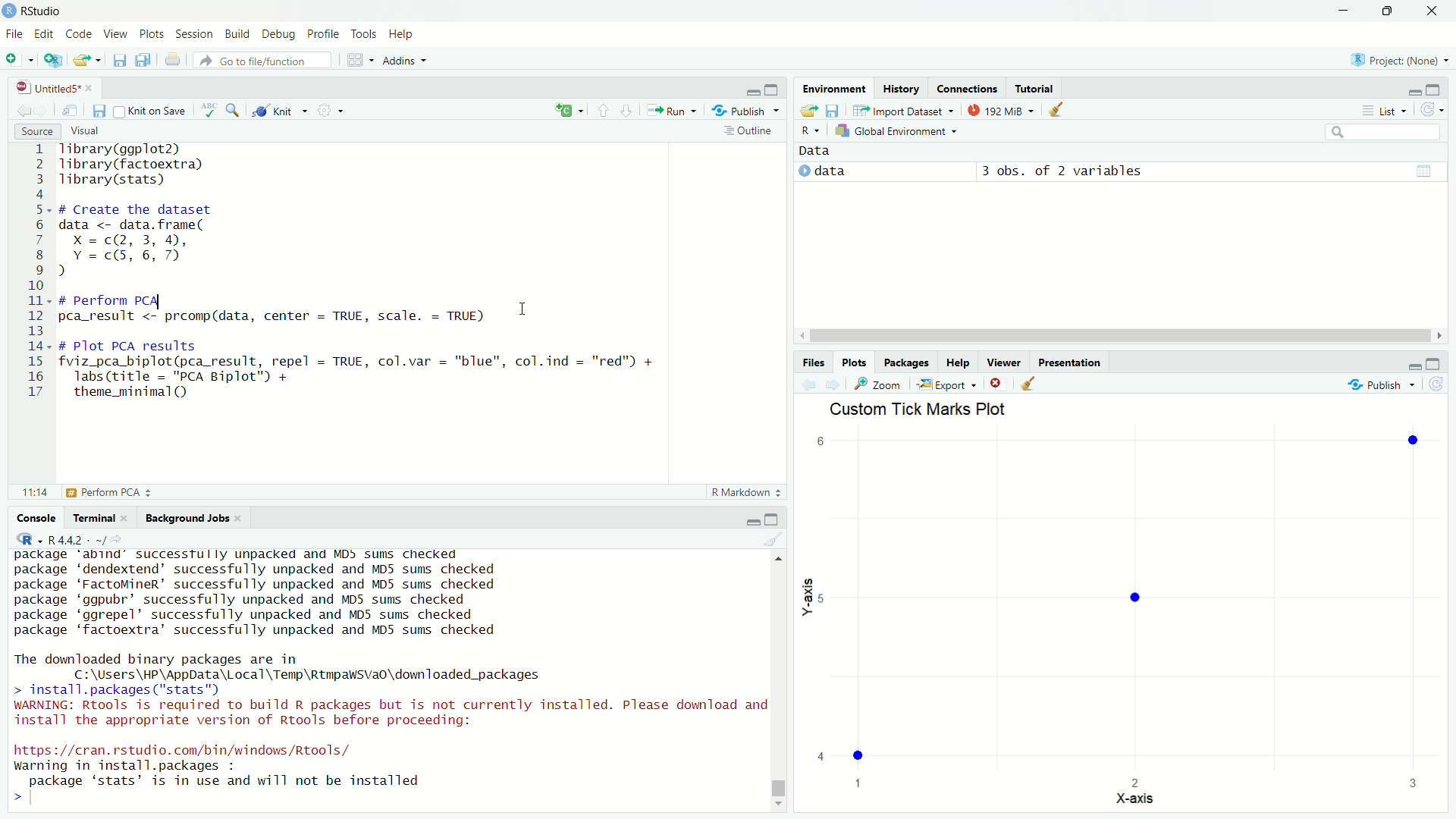 The image size is (1456, 819). I want to click on go forward to the next source, so click(43, 111).